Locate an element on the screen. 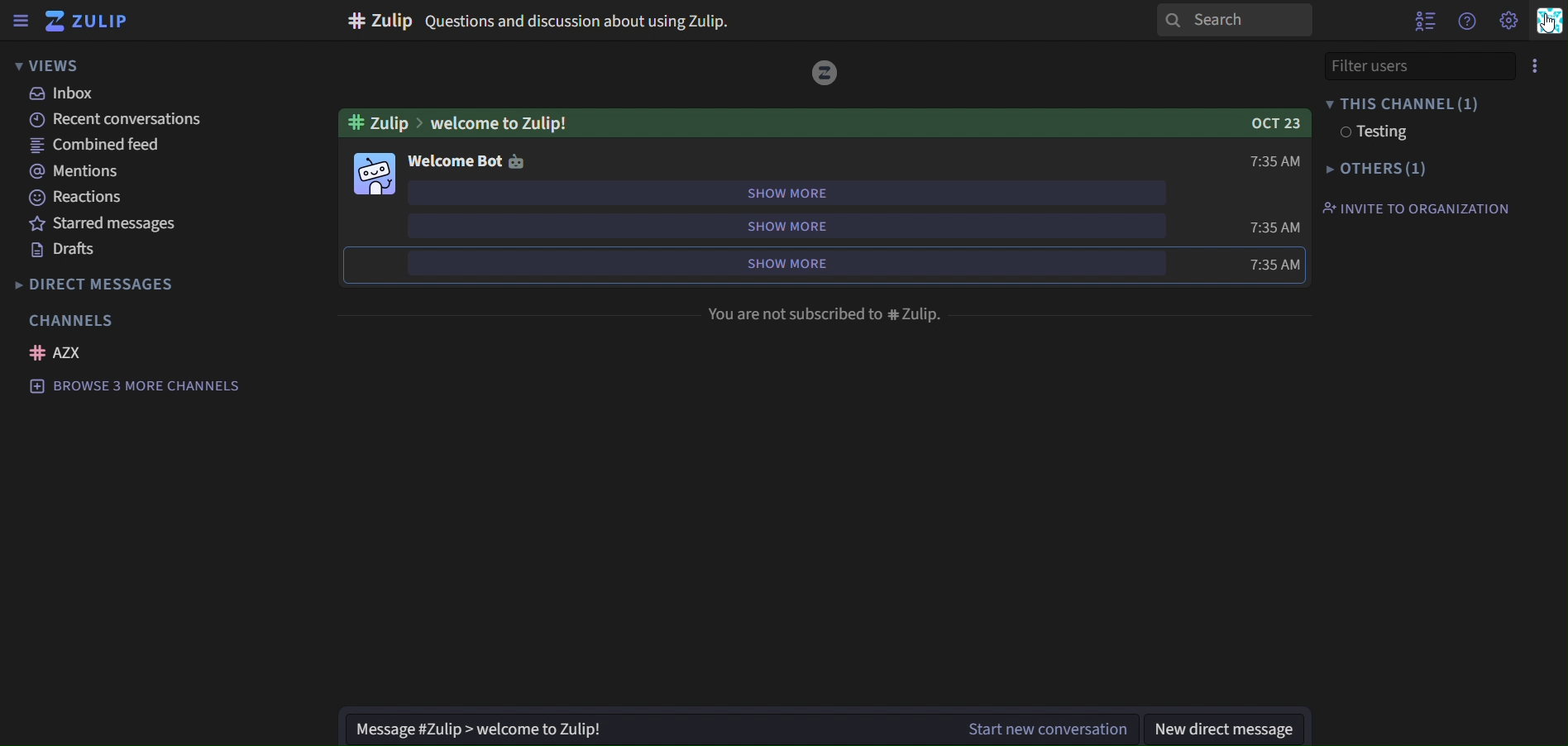 This screenshot has width=1568, height=746. Oct 23 is located at coordinates (1266, 125).